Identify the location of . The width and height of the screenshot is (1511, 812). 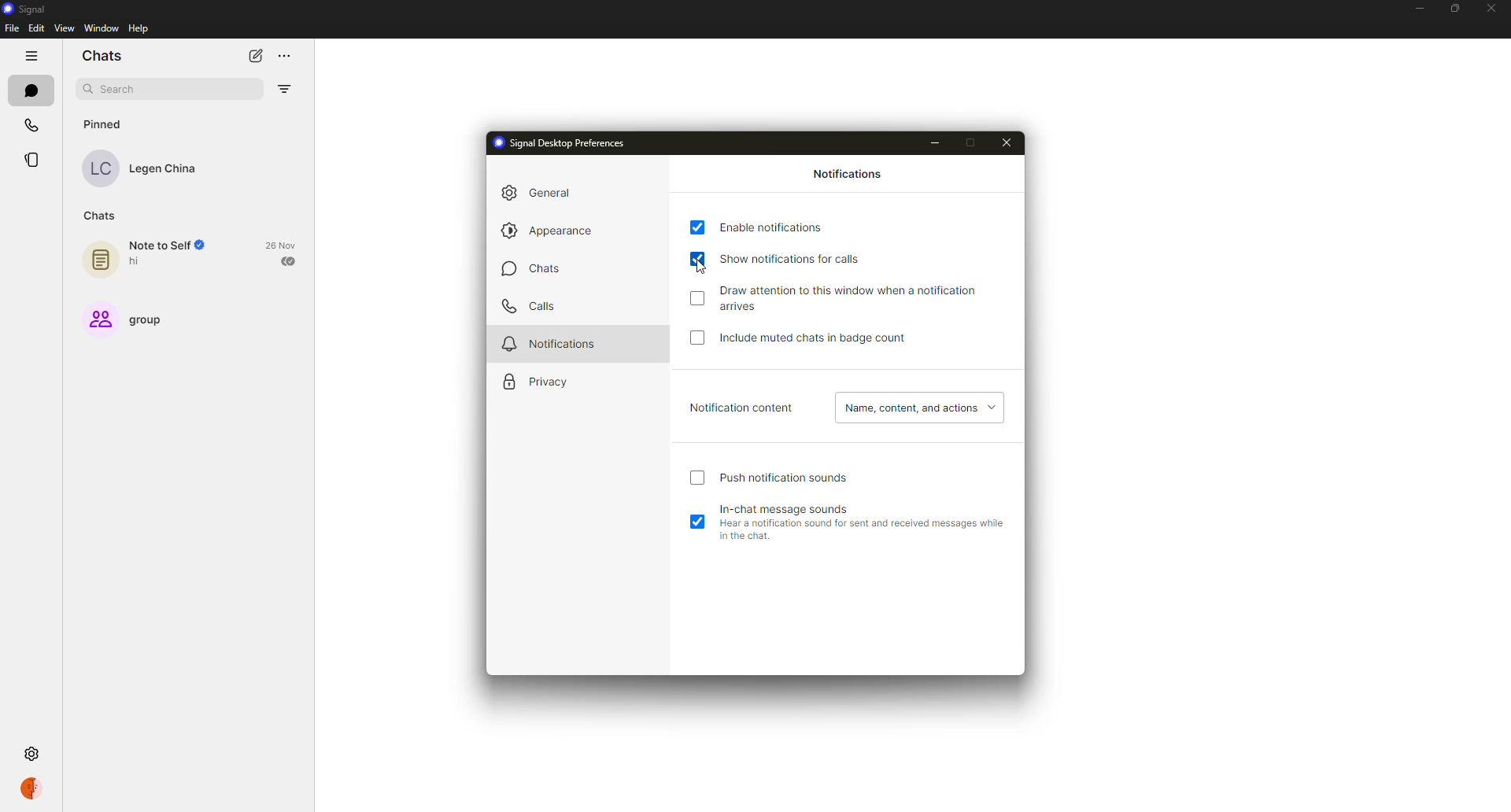
(700, 297).